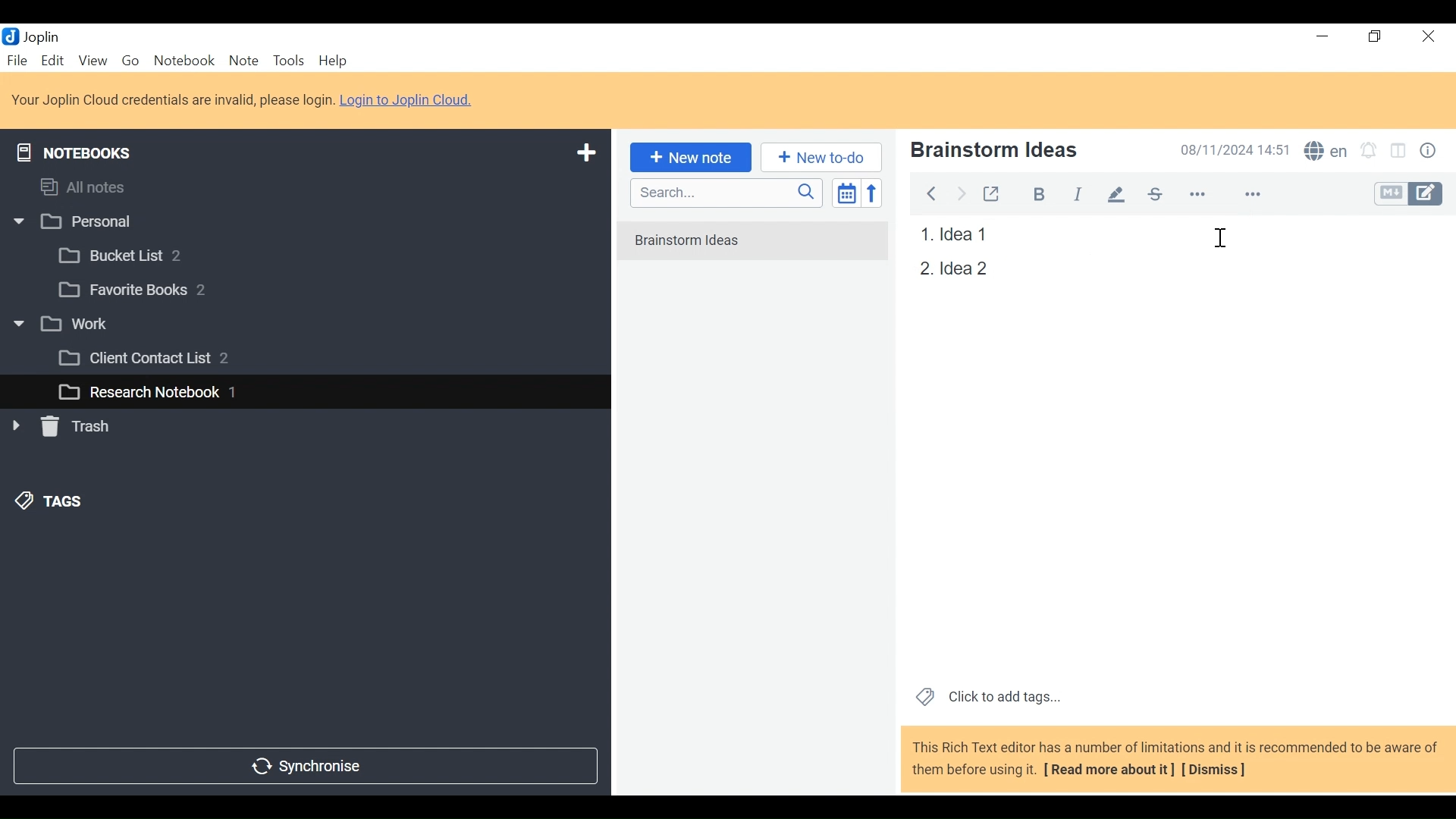 The width and height of the screenshot is (1456, 819). What do you see at coordinates (39, 36) in the screenshot?
I see `Joplin Desktop Icon` at bounding box center [39, 36].